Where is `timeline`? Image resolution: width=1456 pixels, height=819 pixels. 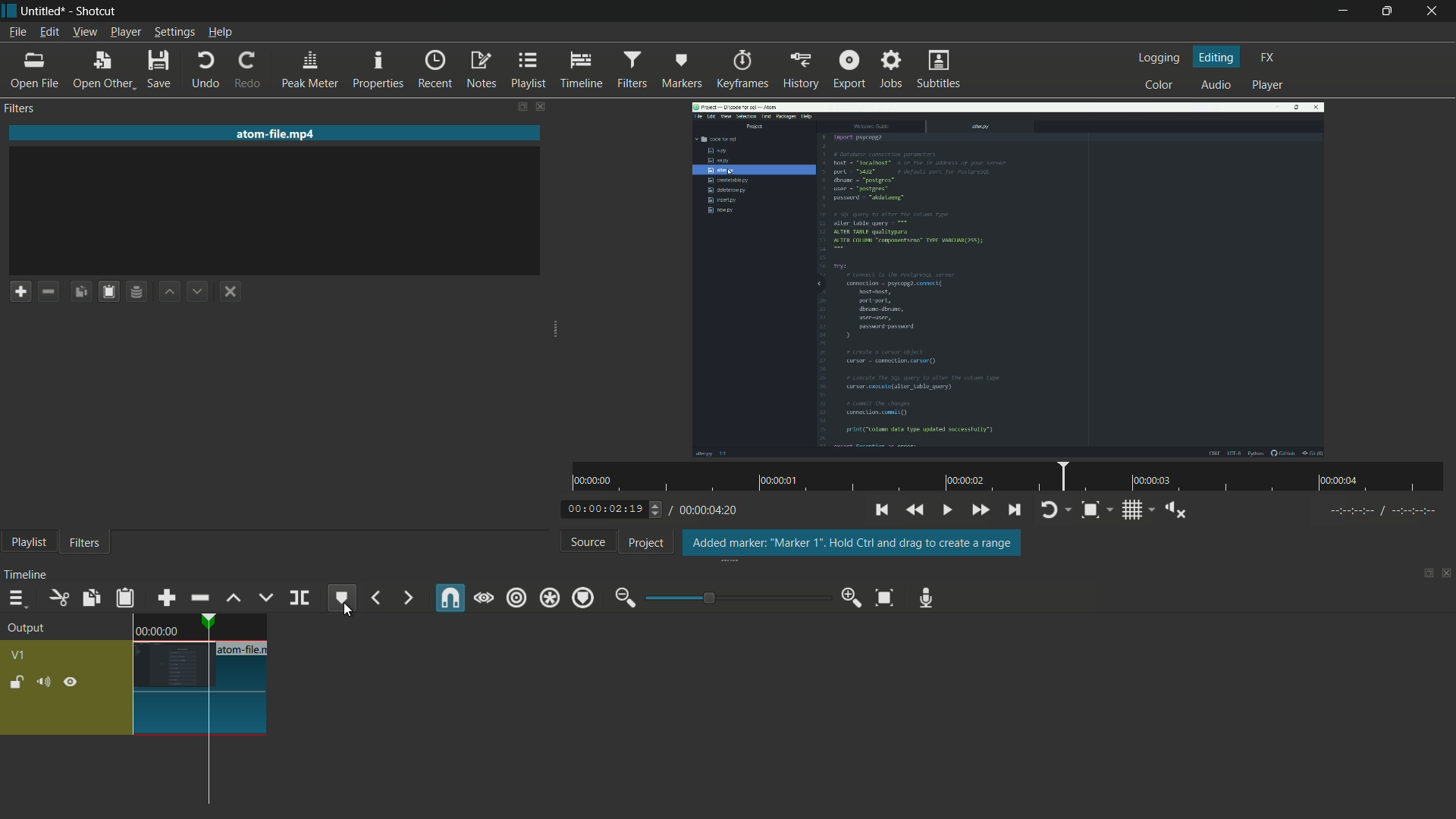 timeline is located at coordinates (23, 573).